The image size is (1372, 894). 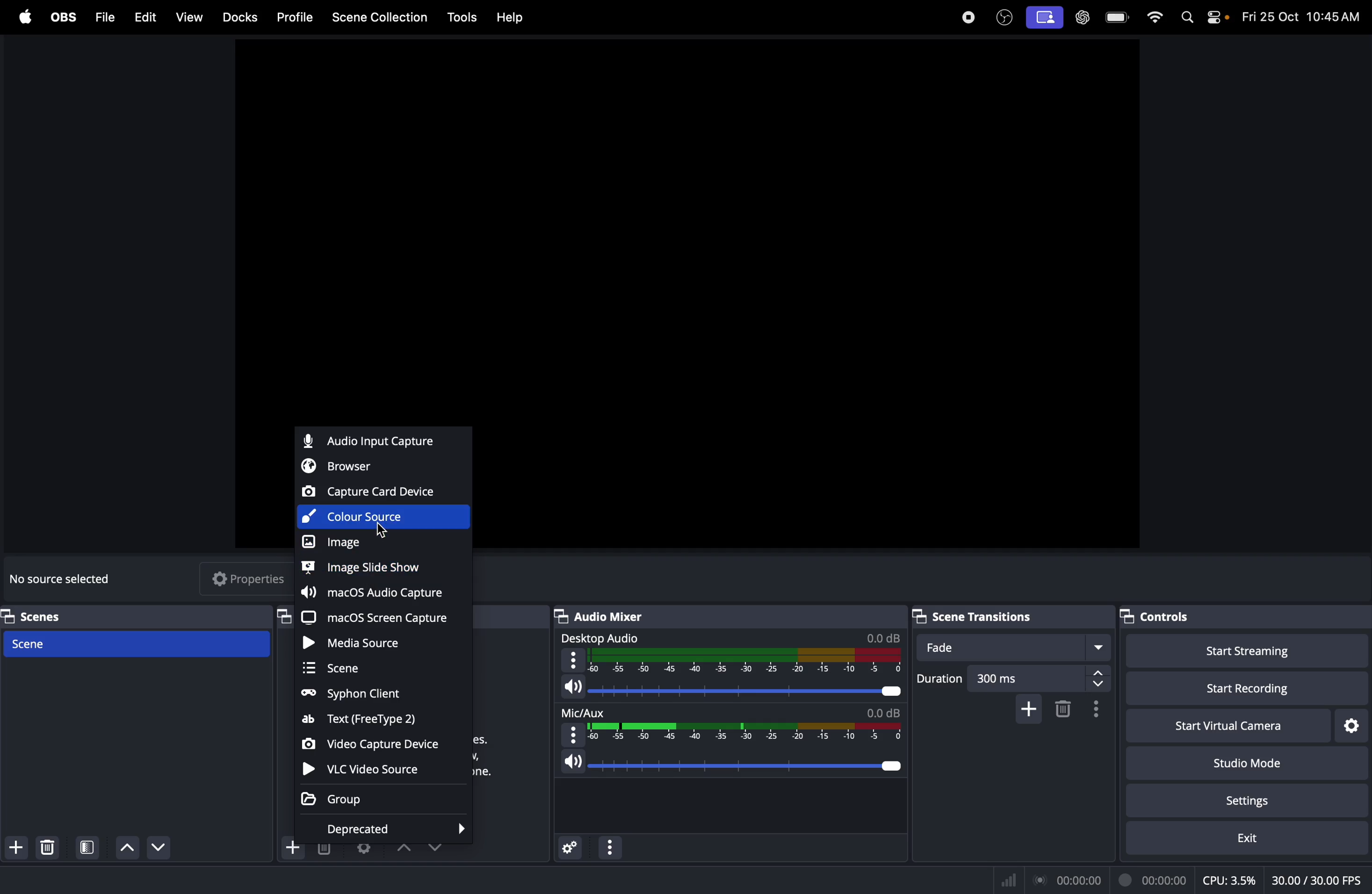 I want to click on Edit, so click(x=145, y=16).